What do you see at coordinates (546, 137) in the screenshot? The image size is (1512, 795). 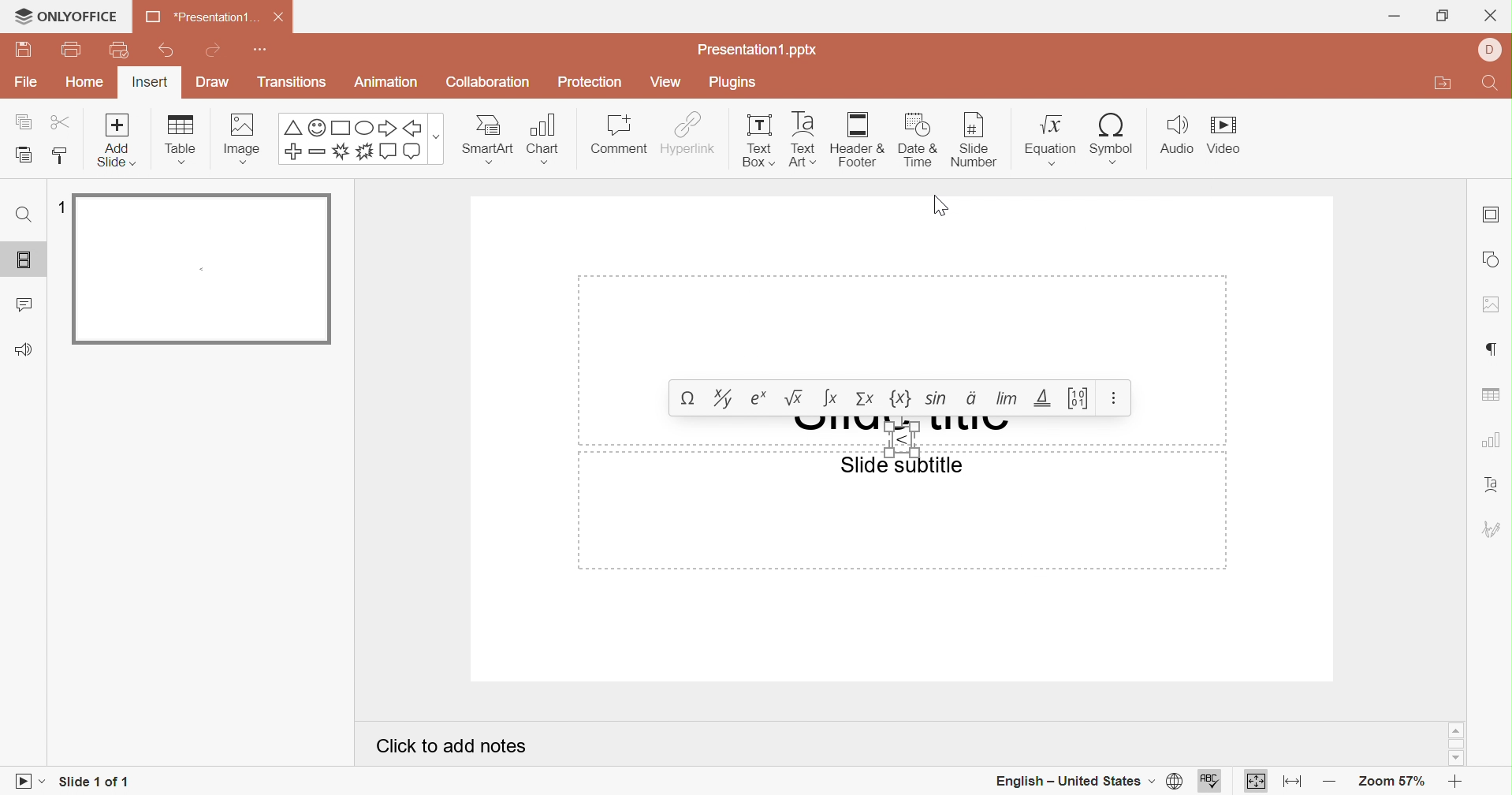 I see `Chart` at bounding box center [546, 137].